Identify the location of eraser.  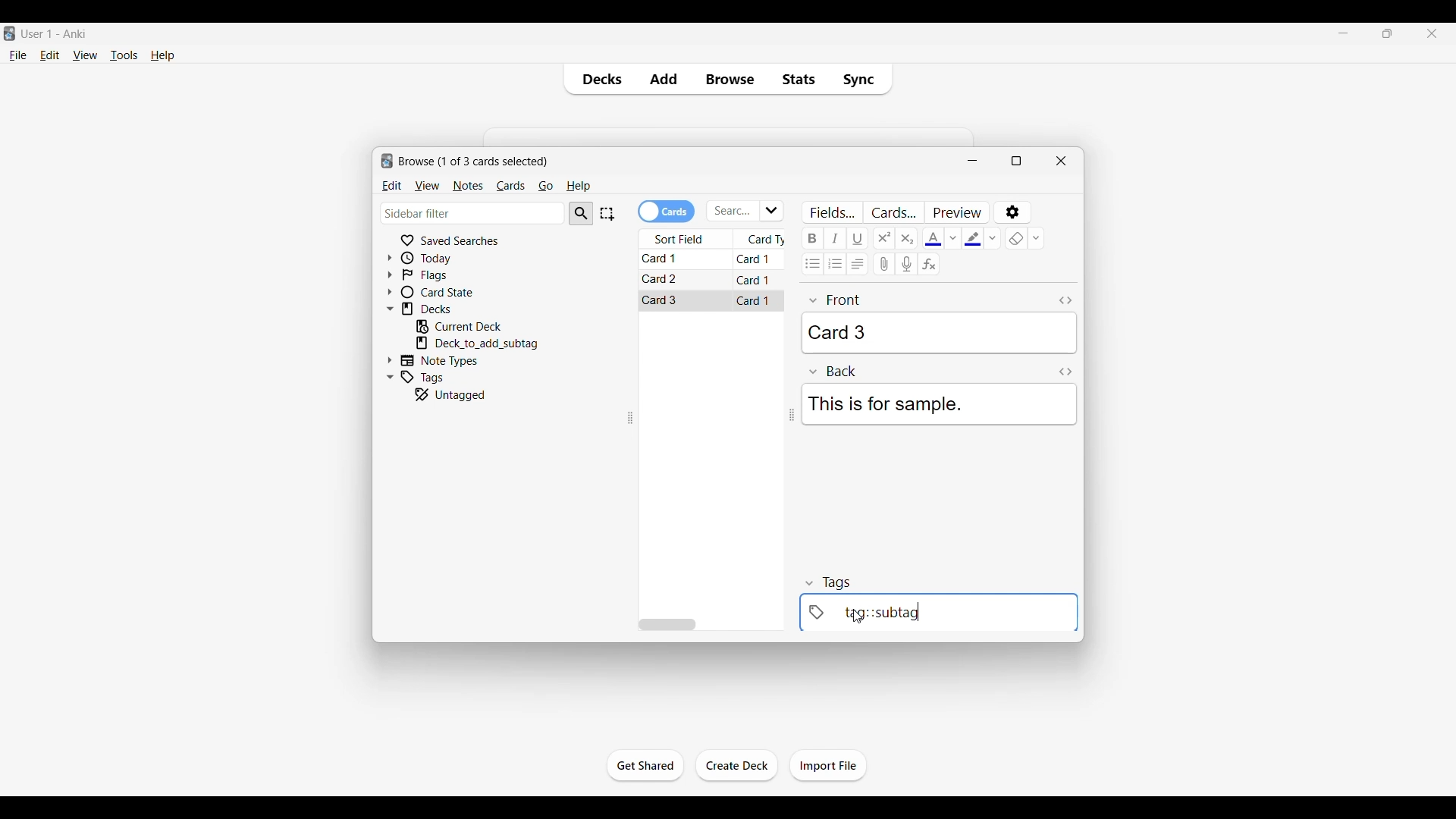
(1016, 238).